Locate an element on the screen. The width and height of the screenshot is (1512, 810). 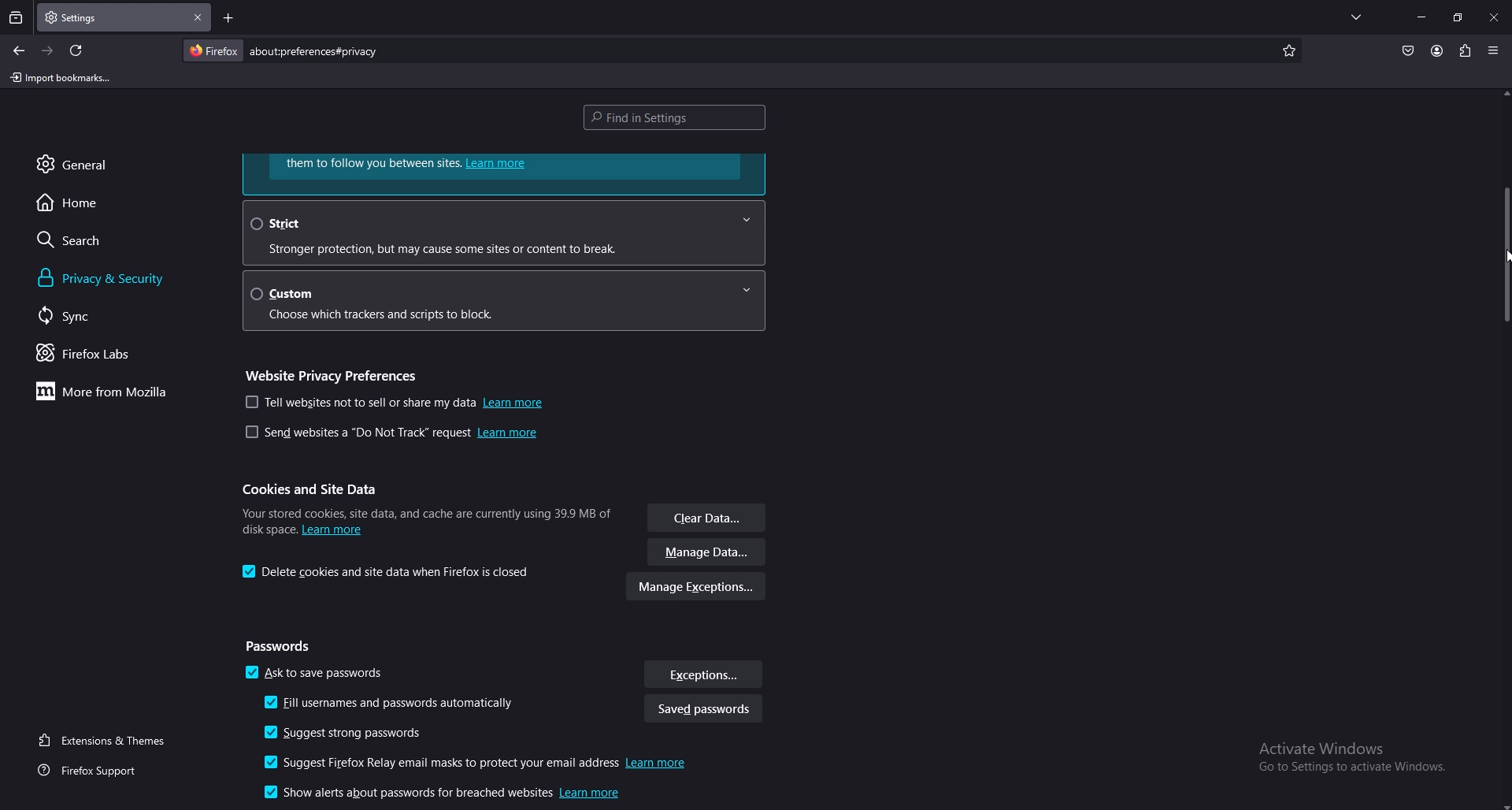
cursor is located at coordinates (1503, 254).